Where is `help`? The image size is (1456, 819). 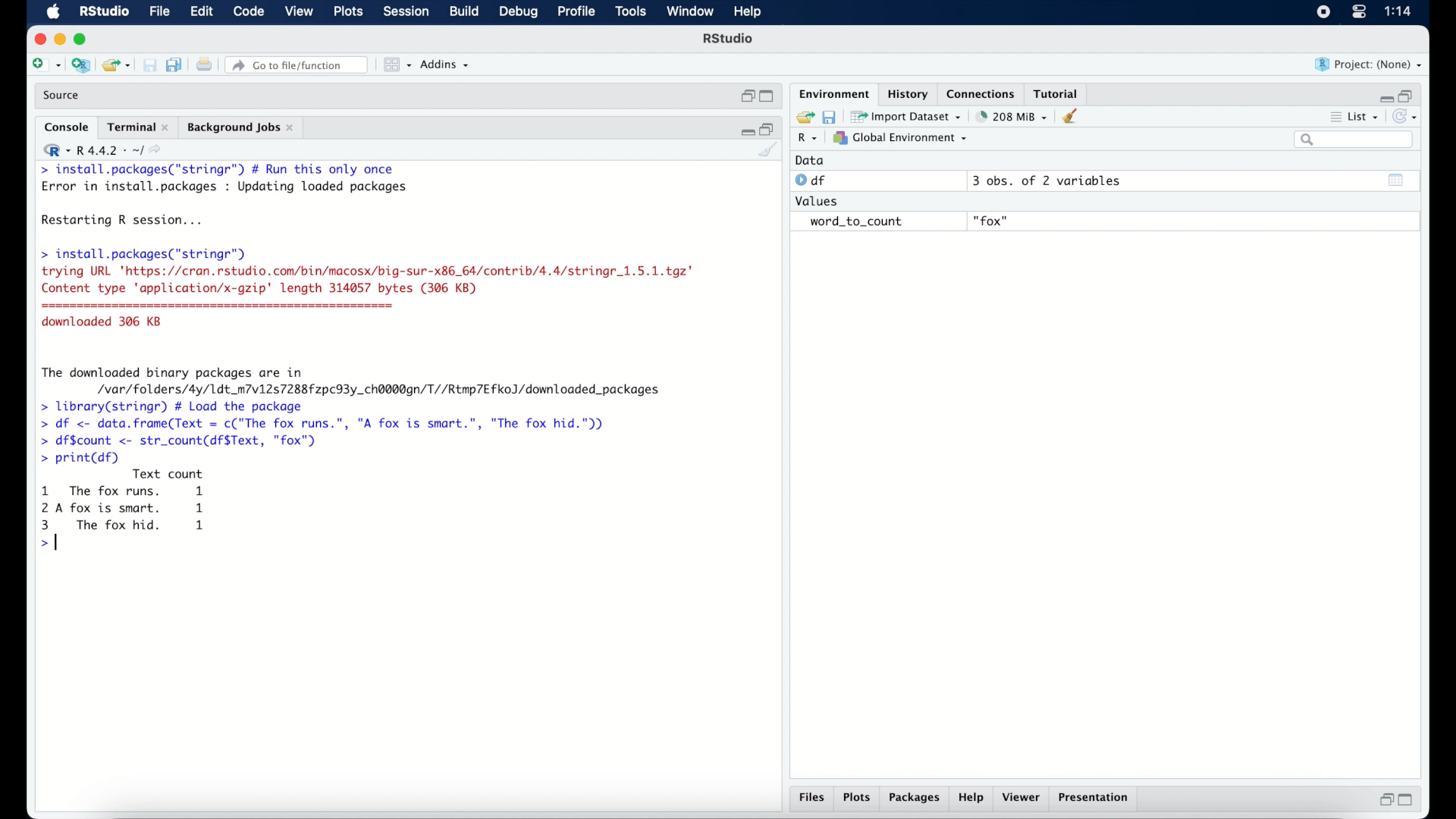
help is located at coordinates (973, 799).